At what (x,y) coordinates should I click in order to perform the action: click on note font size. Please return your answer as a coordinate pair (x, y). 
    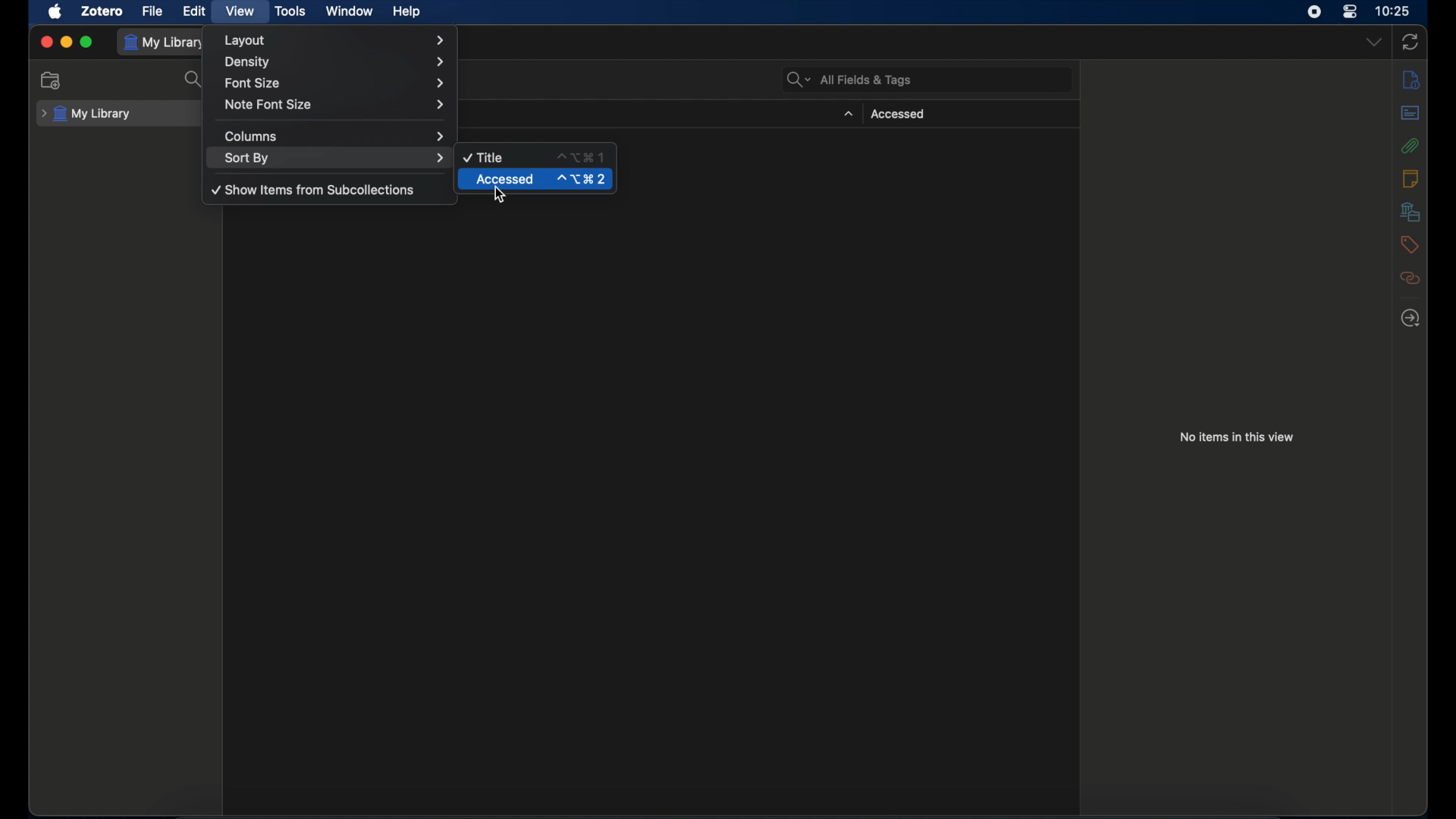
    Looking at the image, I should click on (335, 105).